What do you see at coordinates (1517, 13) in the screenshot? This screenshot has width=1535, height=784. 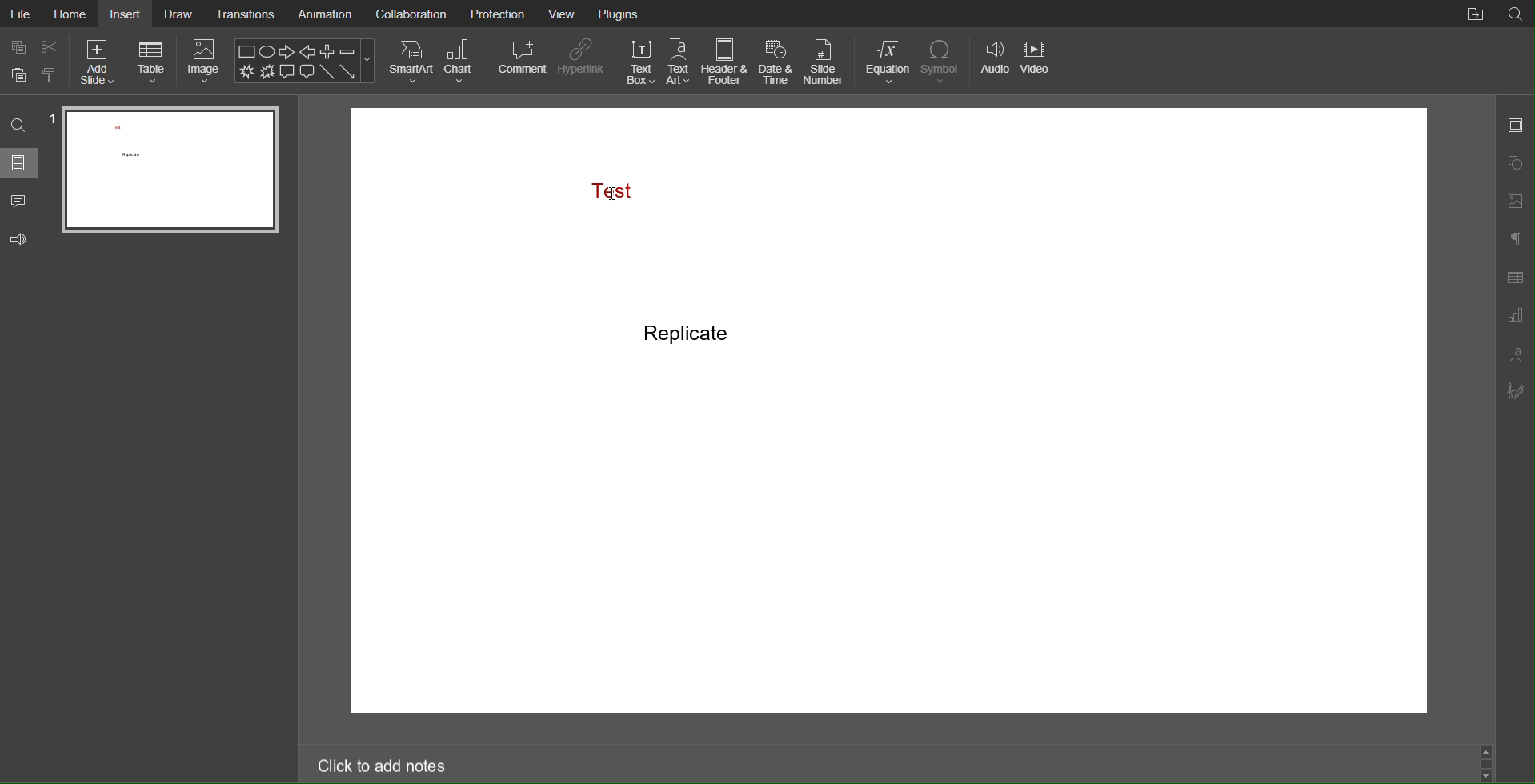 I see `Search` at bounding box center [1517, 13].